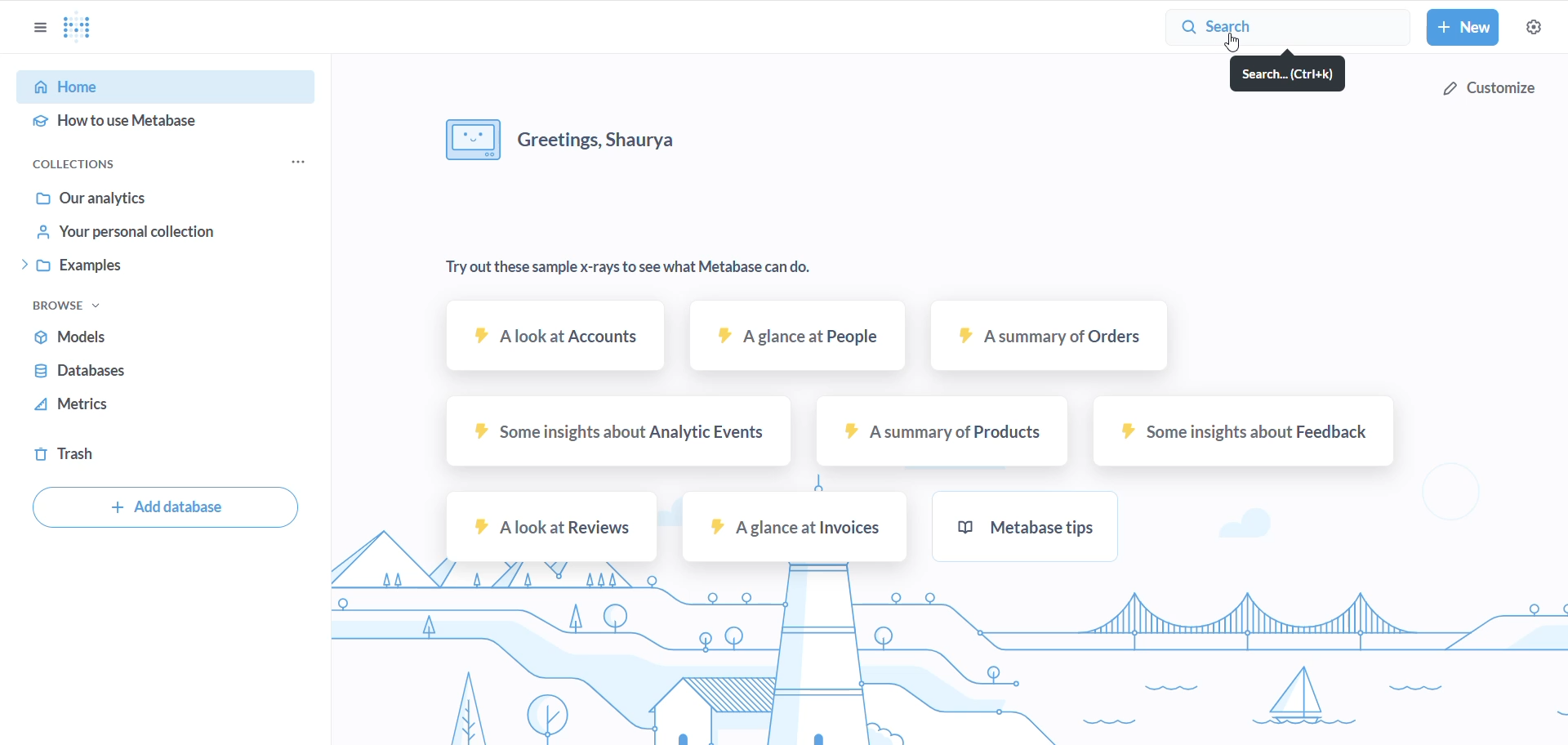 The width and height of the screenshot is (1568, 745). What do you see at coordinates (154, 199) in the screenshot?
I see `Our analytics` at bounding box center [154, 199].